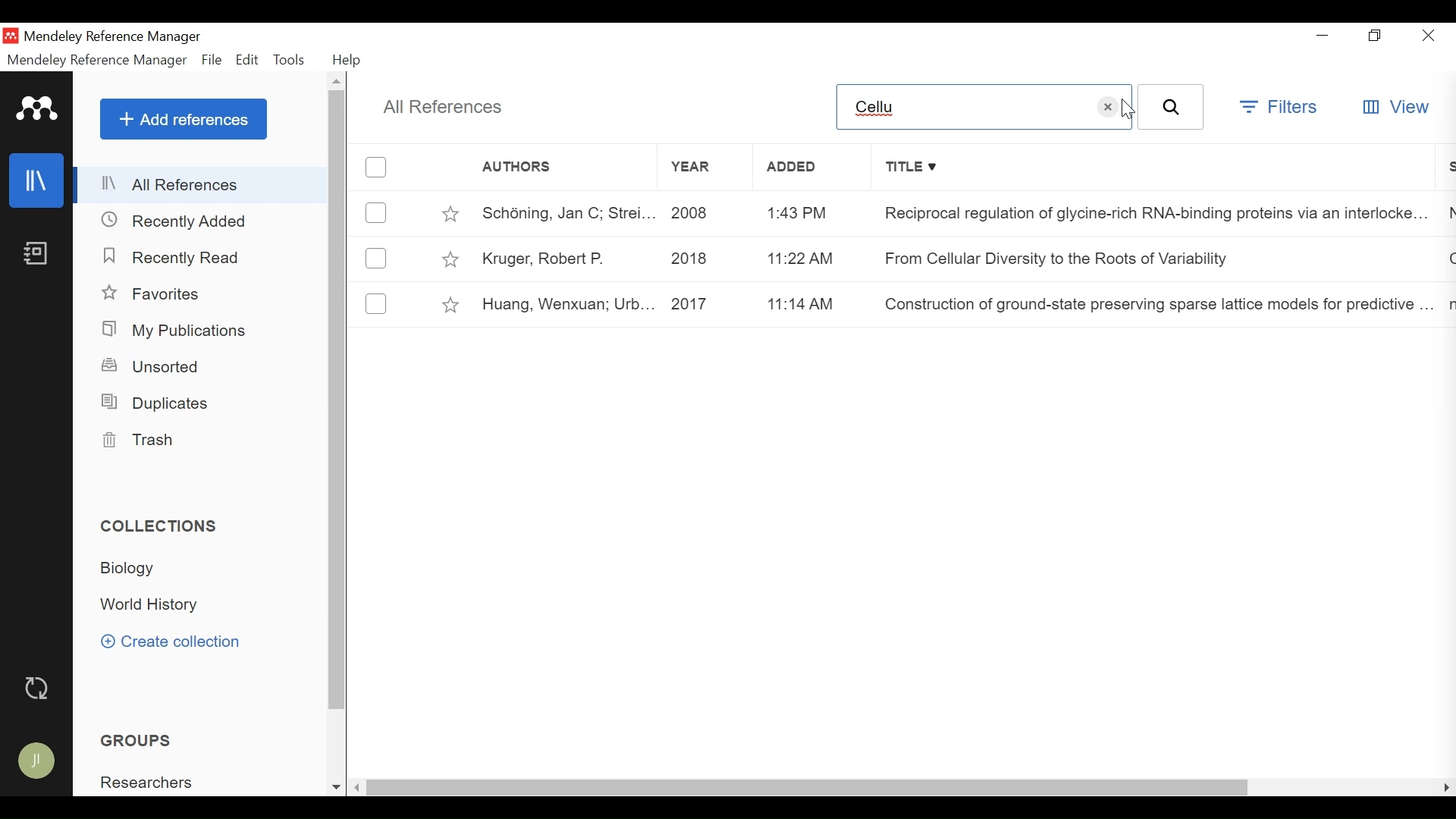 Image resolution: width=1456 pixels, height=819 pixels. Describe the element at coordinates (358, 789) in the screenshot. I see `Scroll Left` at that location.